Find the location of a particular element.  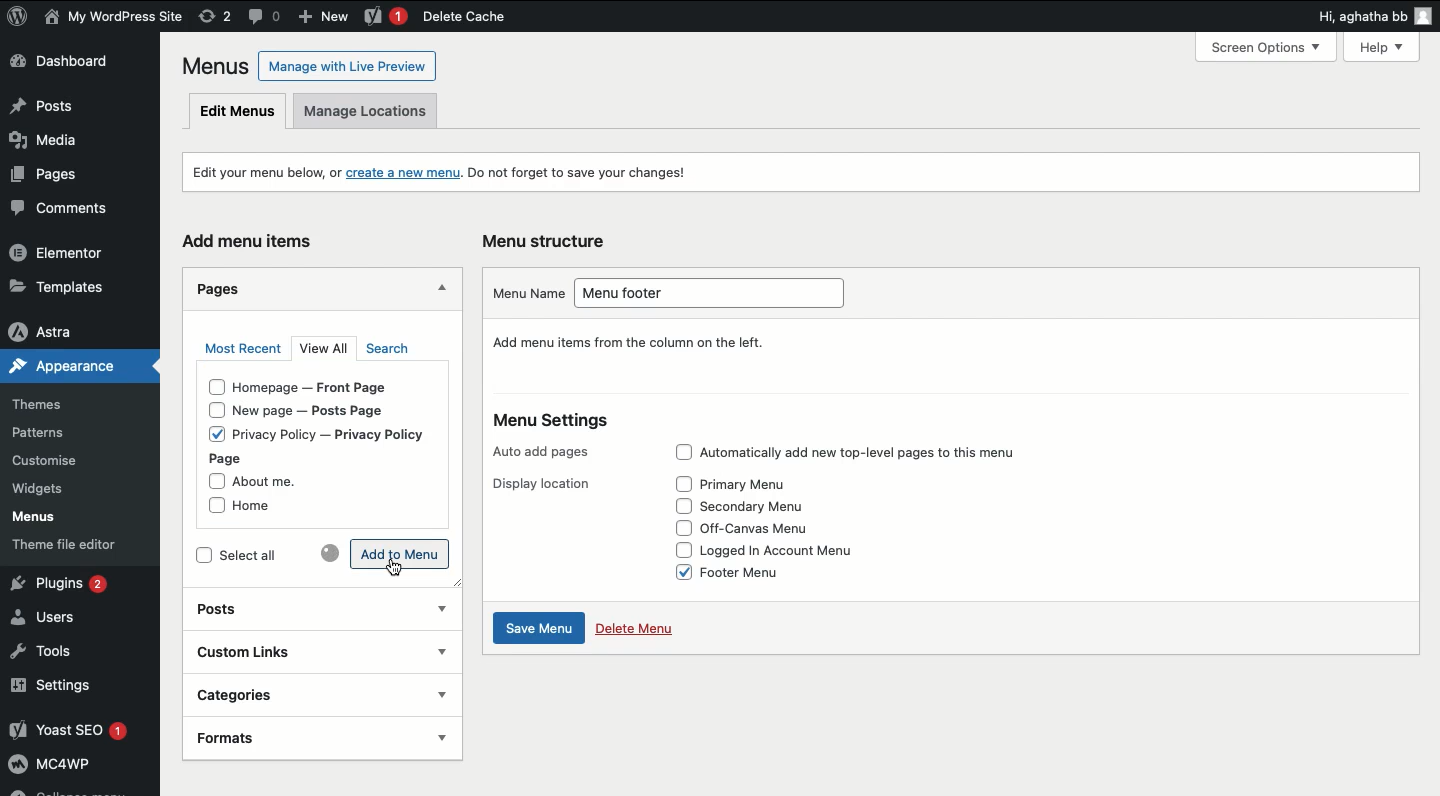

create a new menu. is located at coordinates (404, 174).